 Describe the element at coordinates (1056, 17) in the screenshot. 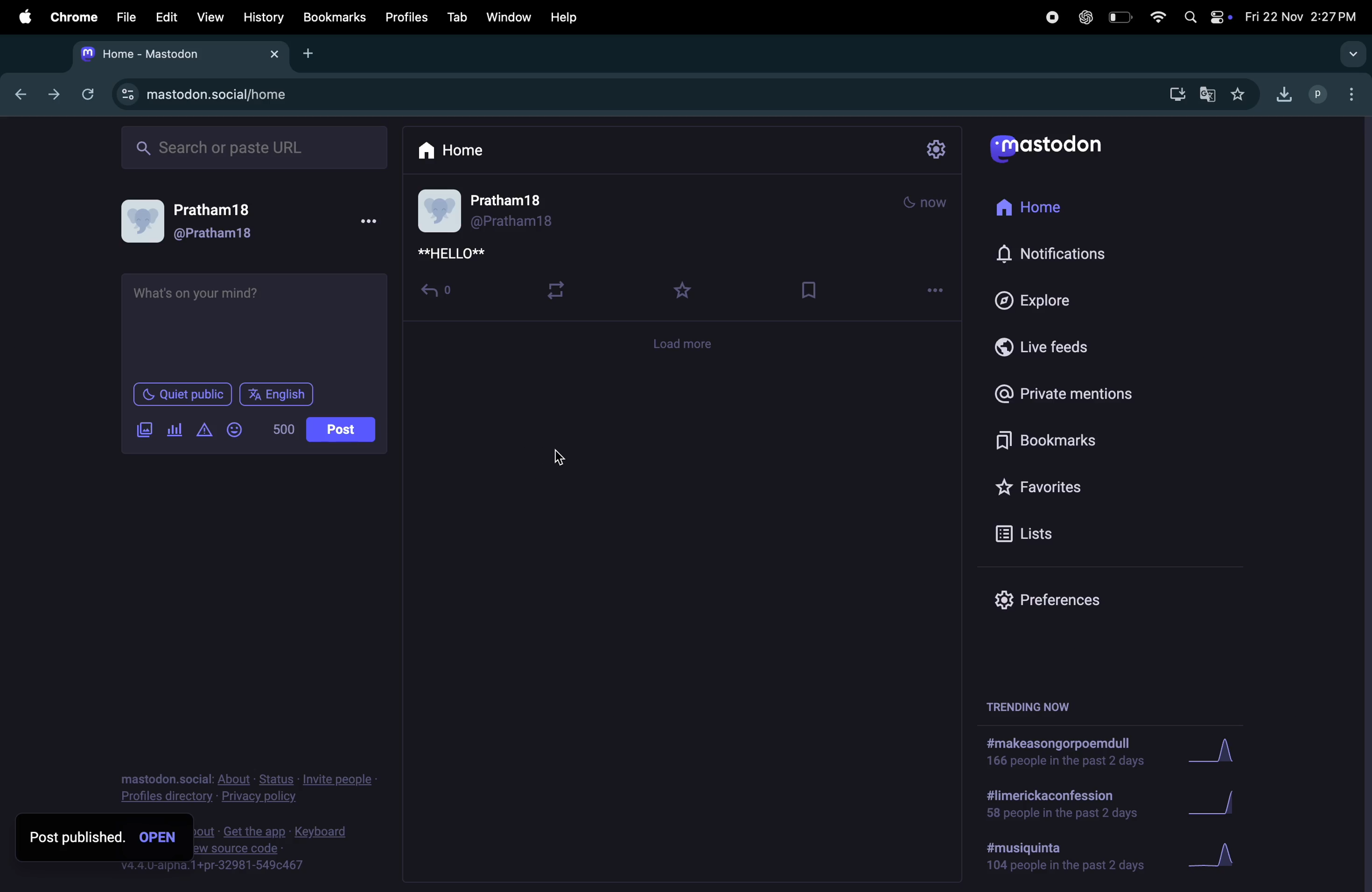

I see `record` at that location.